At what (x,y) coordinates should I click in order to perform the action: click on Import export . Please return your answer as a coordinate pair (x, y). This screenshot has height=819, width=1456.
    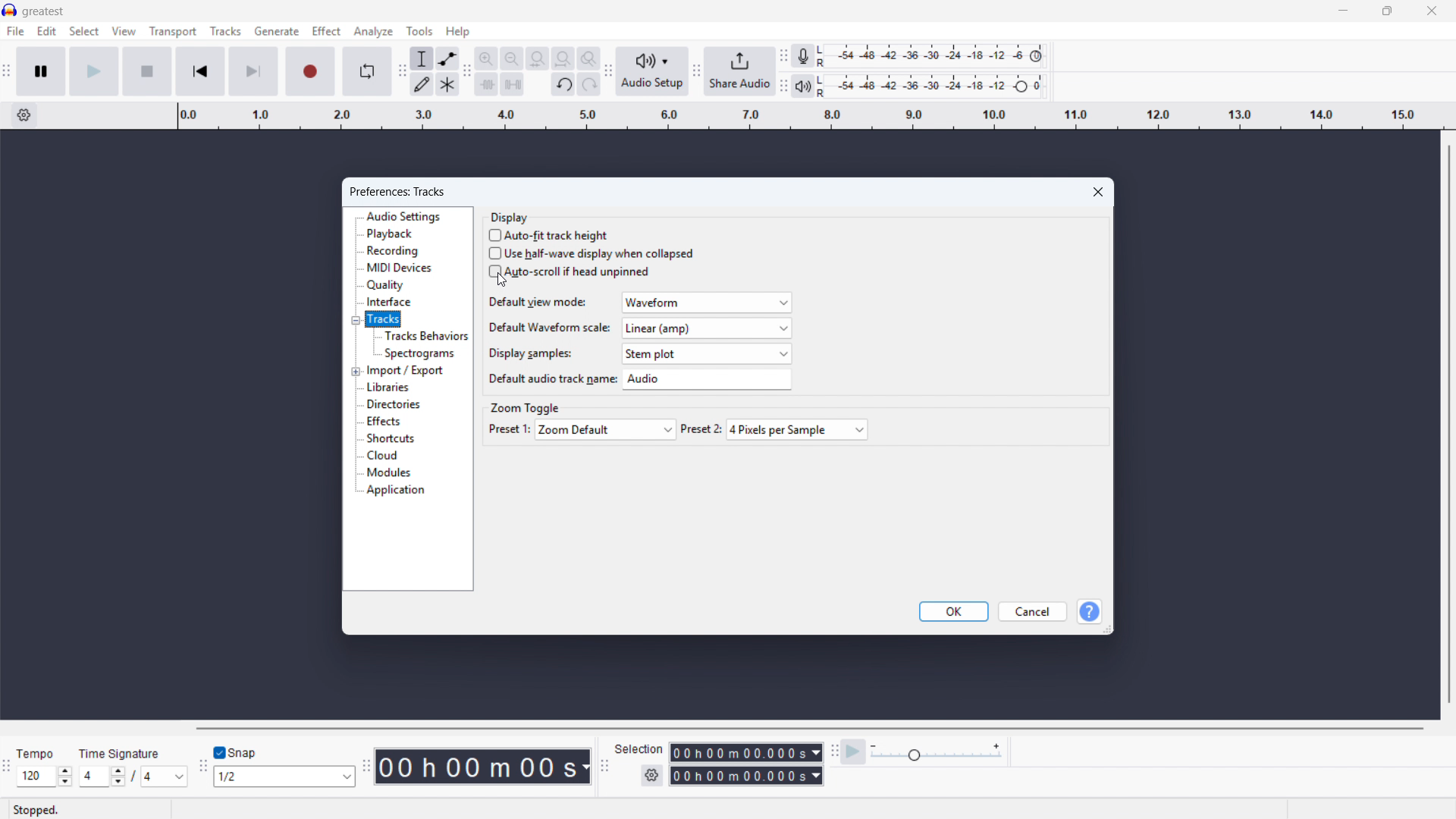
    Looking at the image, I should click on (406, 370).